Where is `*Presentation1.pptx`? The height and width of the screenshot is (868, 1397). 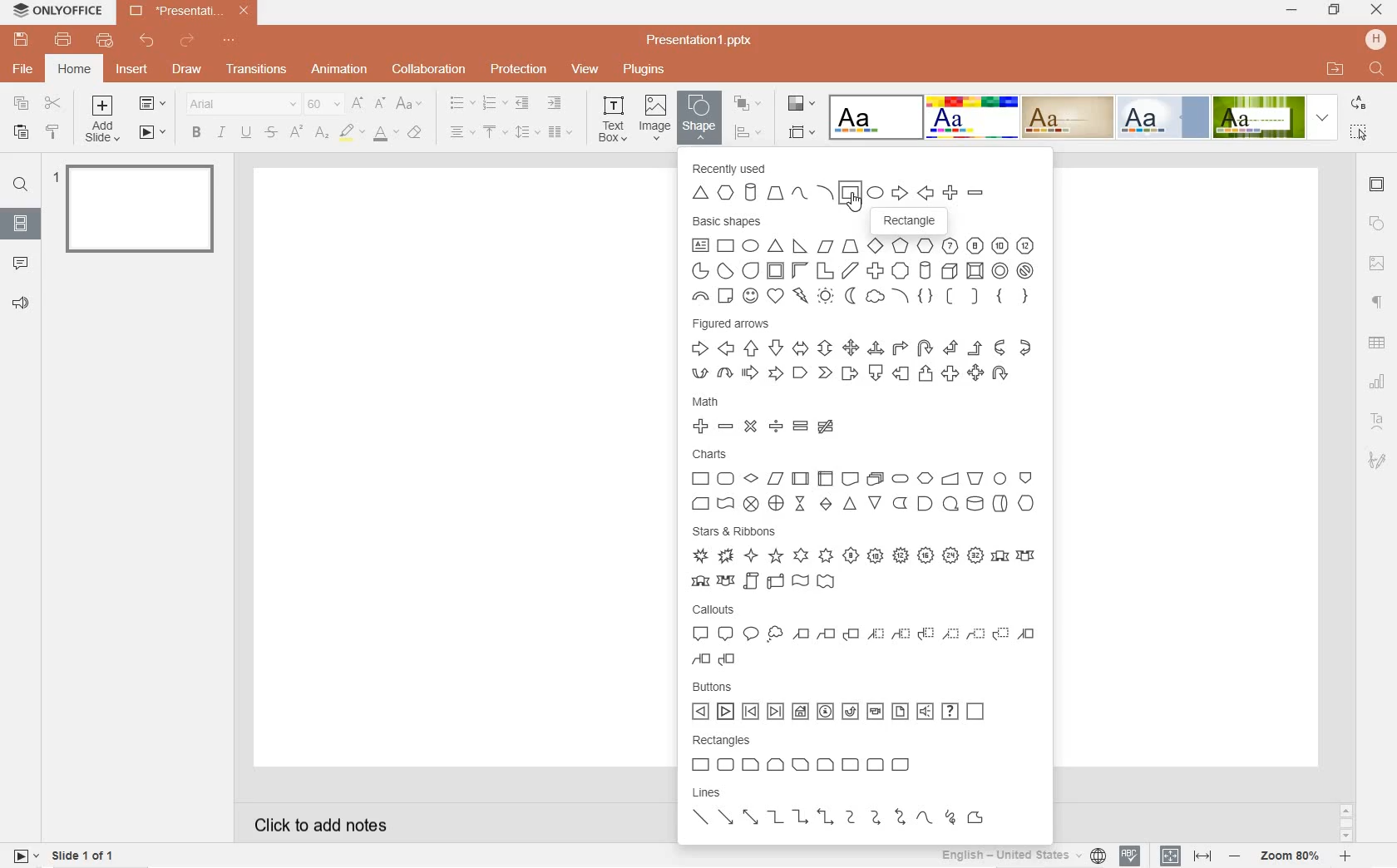
*Presentation1.pptx is located at coordinates (193, 12).